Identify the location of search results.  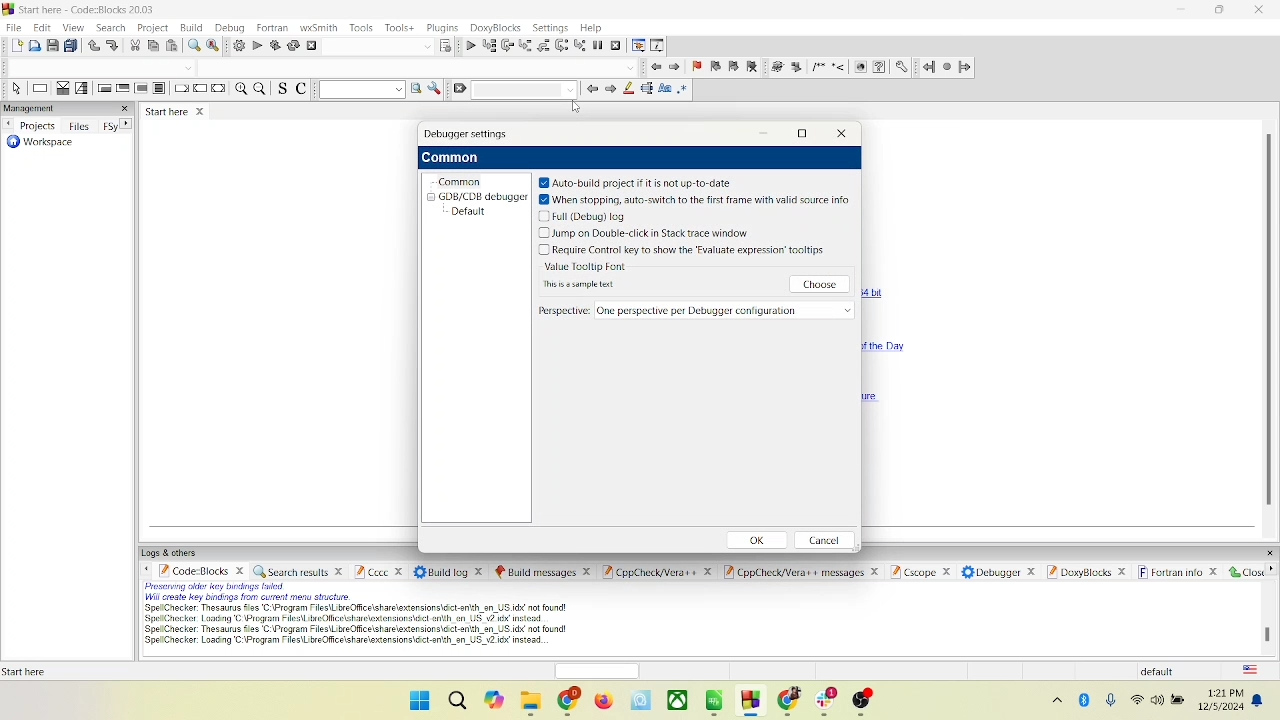
(300, 572).